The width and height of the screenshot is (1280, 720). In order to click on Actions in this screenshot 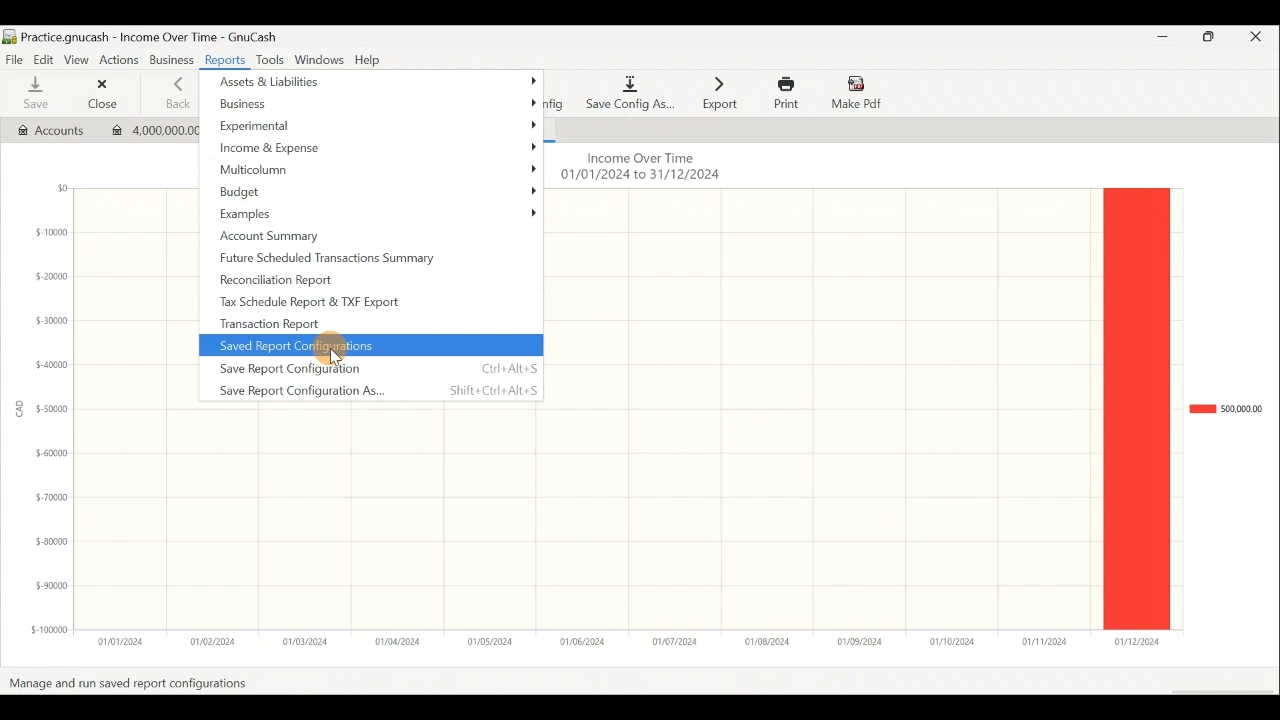, I will do `click(119, 59)`.